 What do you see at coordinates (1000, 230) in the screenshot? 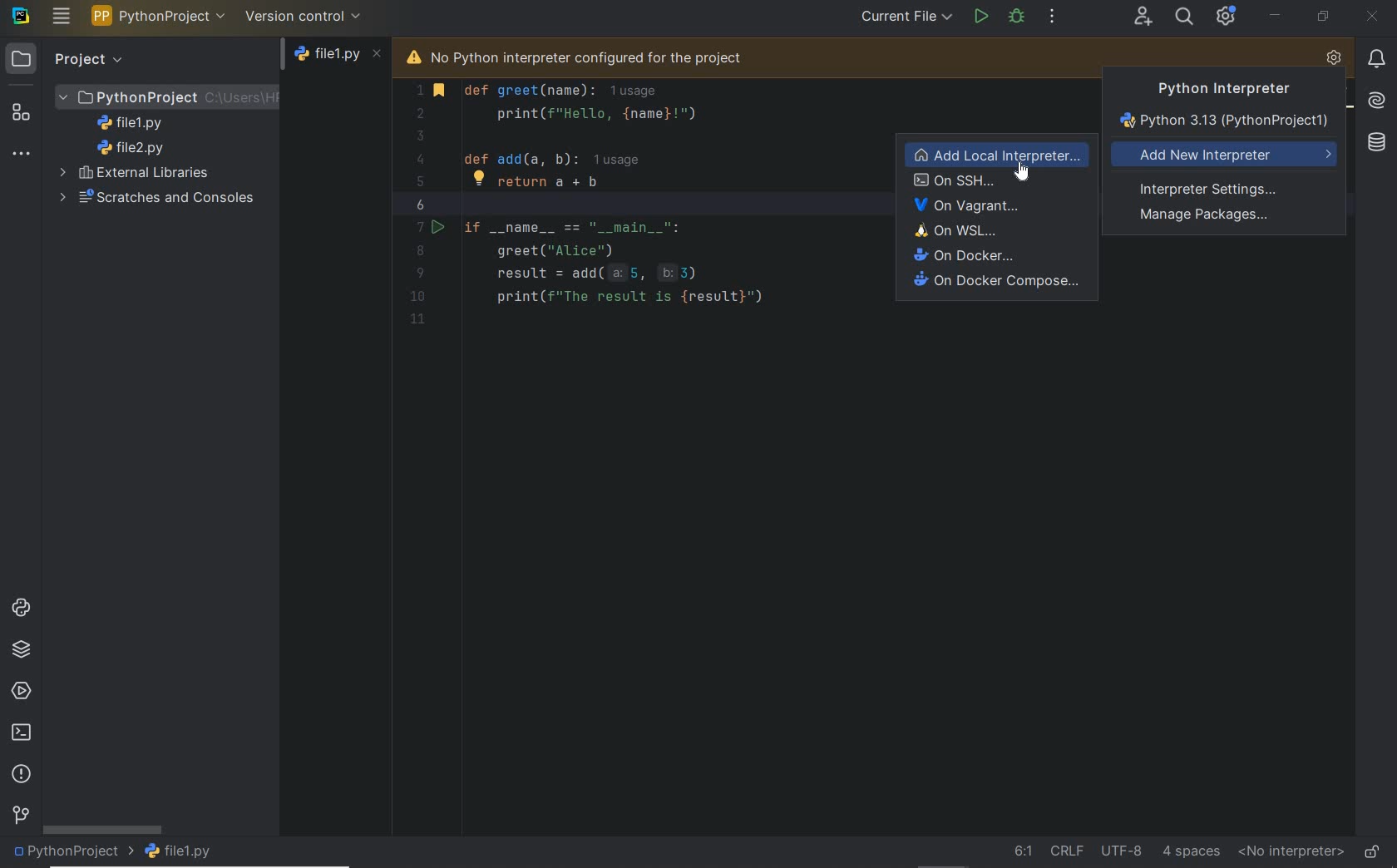
I see `On WSL` at bounding box center [1000, 230].